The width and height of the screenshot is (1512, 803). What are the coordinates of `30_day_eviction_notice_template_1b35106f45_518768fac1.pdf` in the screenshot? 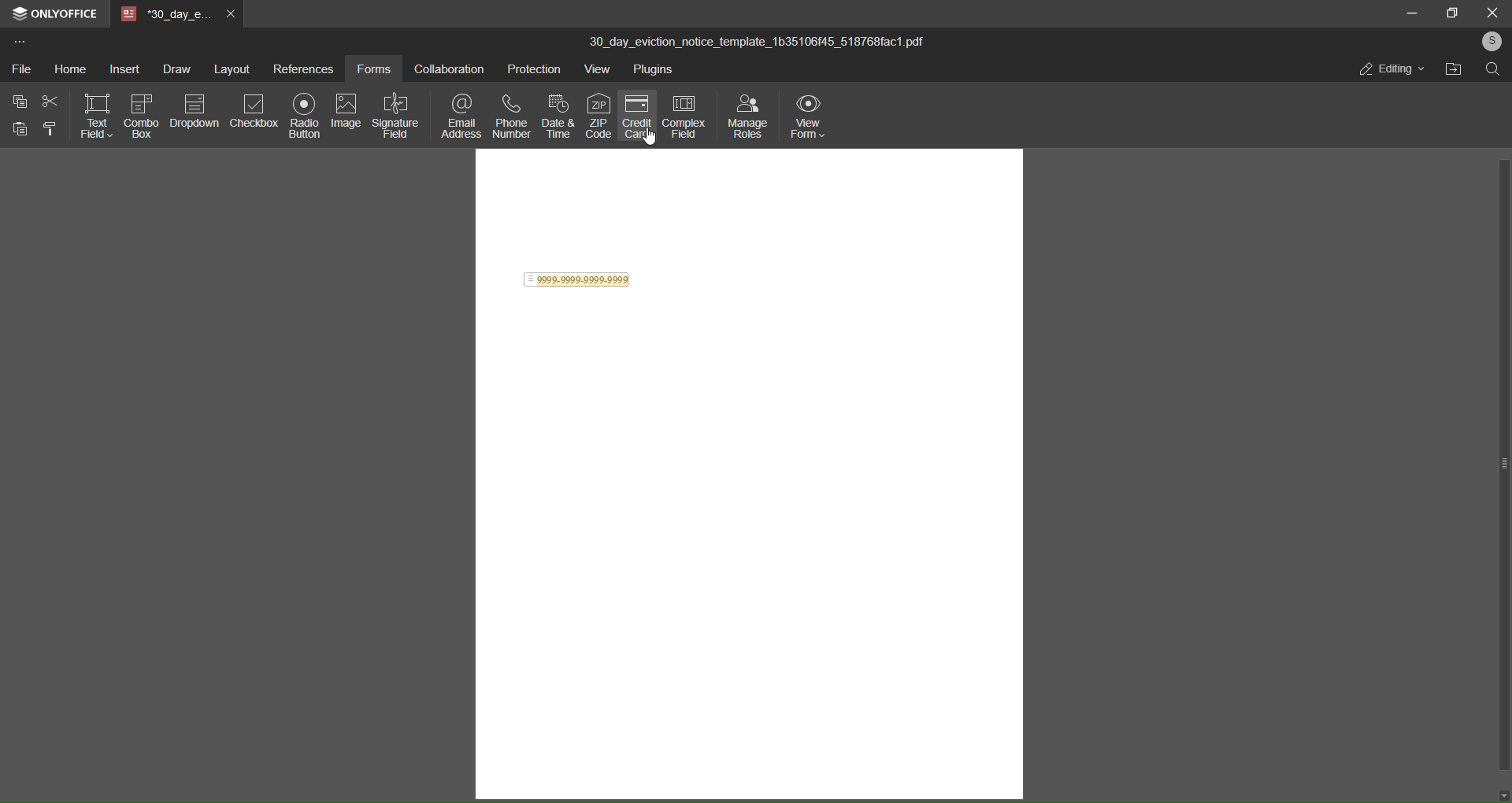 It's located at (768, 43).